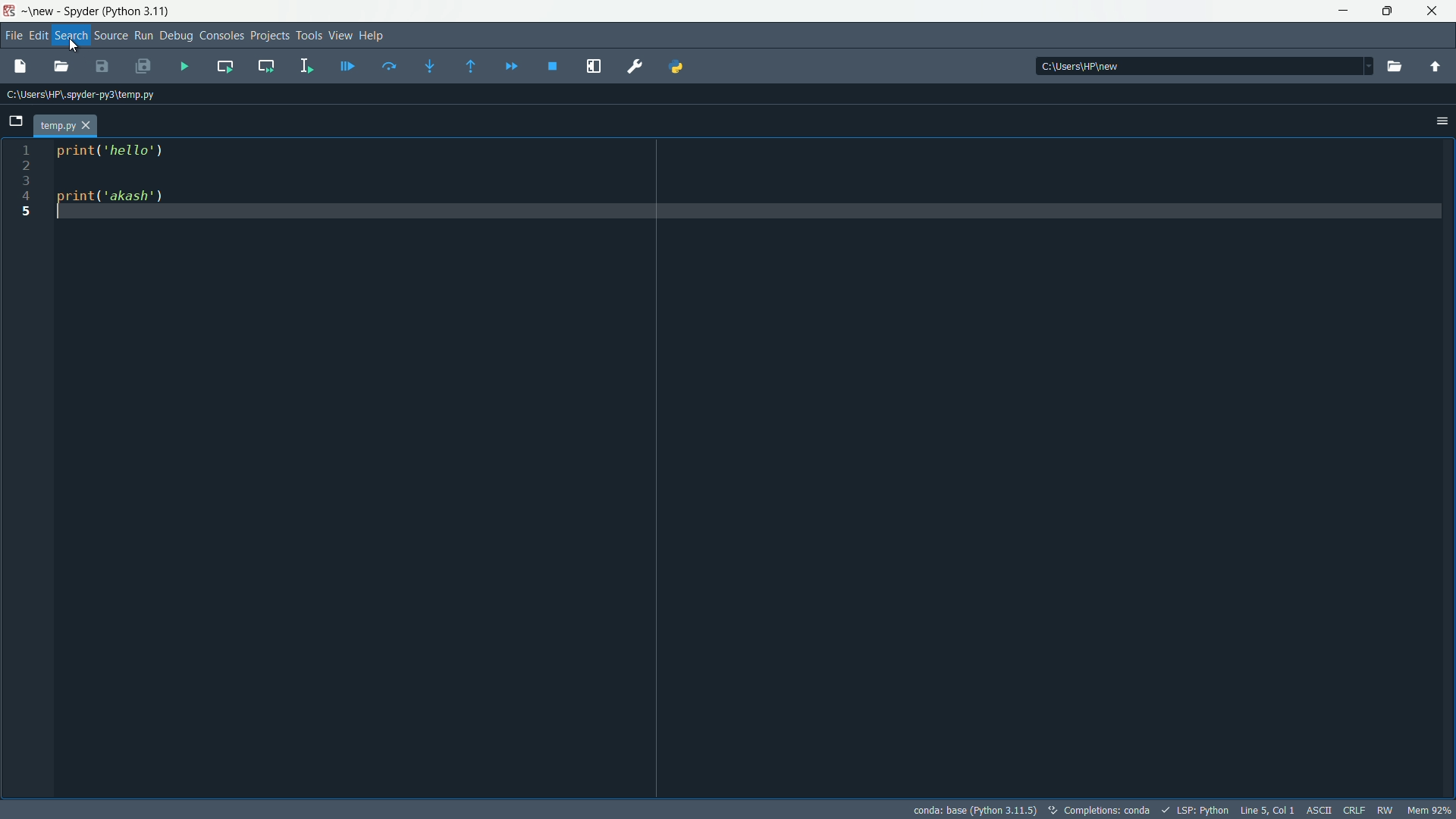  What do you see at coordinates (20, 67) in the screenshot?
I see `new file` at bounding box center [20, 67].